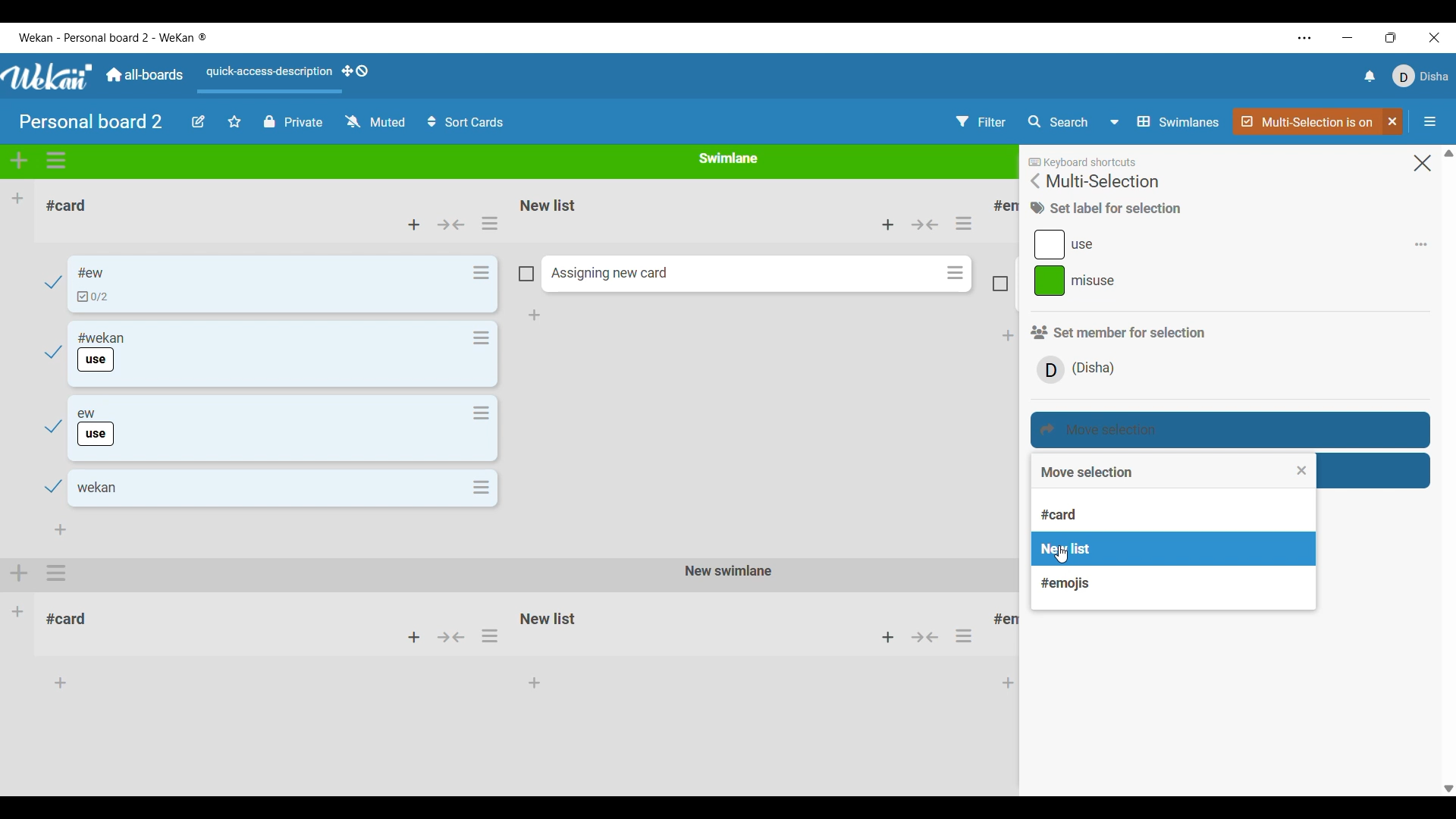 The width and height of the screenshot is (1456, 819). What do you see at coordinates (111, 484) in the screenshot?
I see `Card name` at bounding box center [111, 484].